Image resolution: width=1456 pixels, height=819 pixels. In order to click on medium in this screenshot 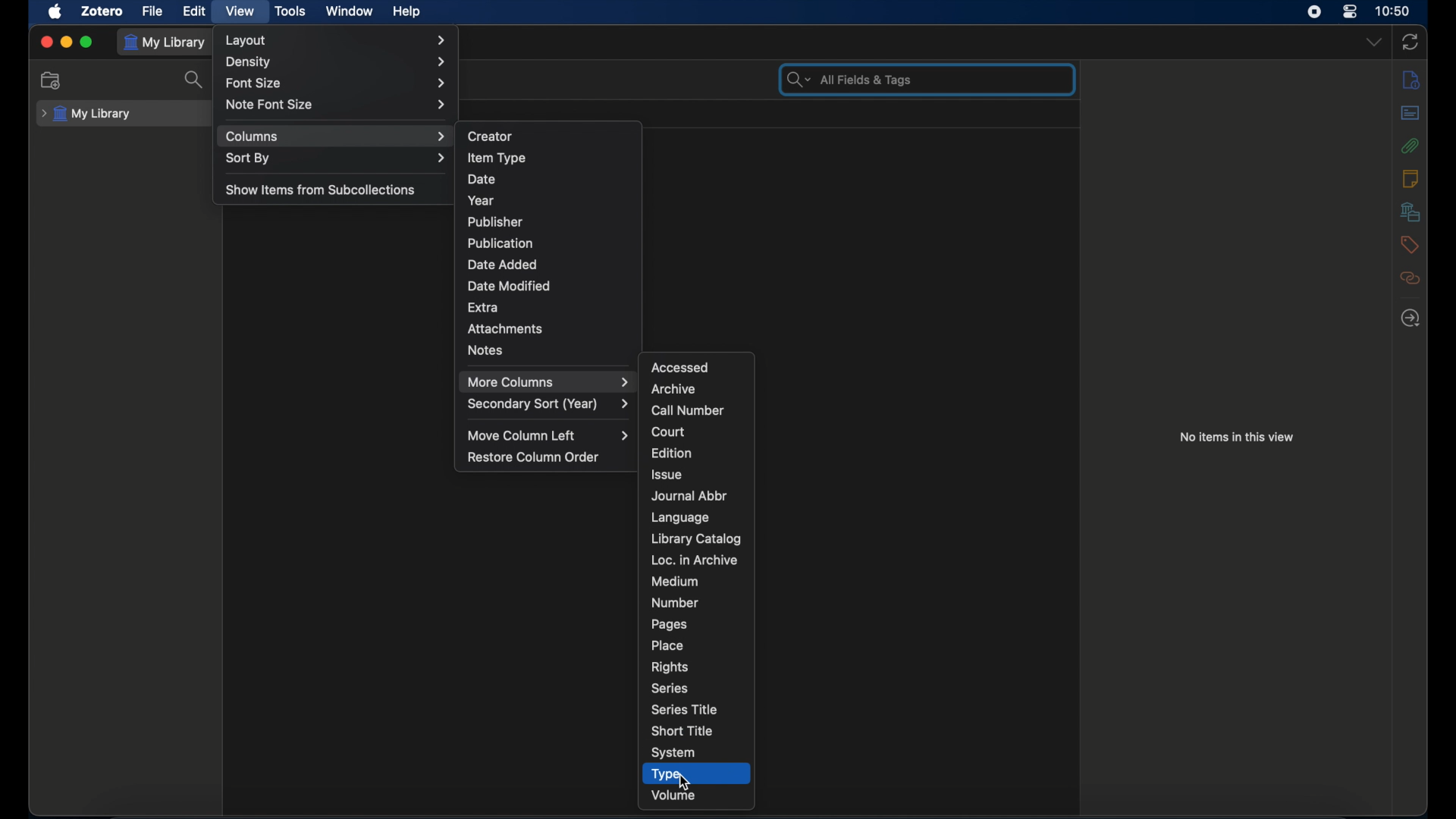, I will do `click(674, 580)`.